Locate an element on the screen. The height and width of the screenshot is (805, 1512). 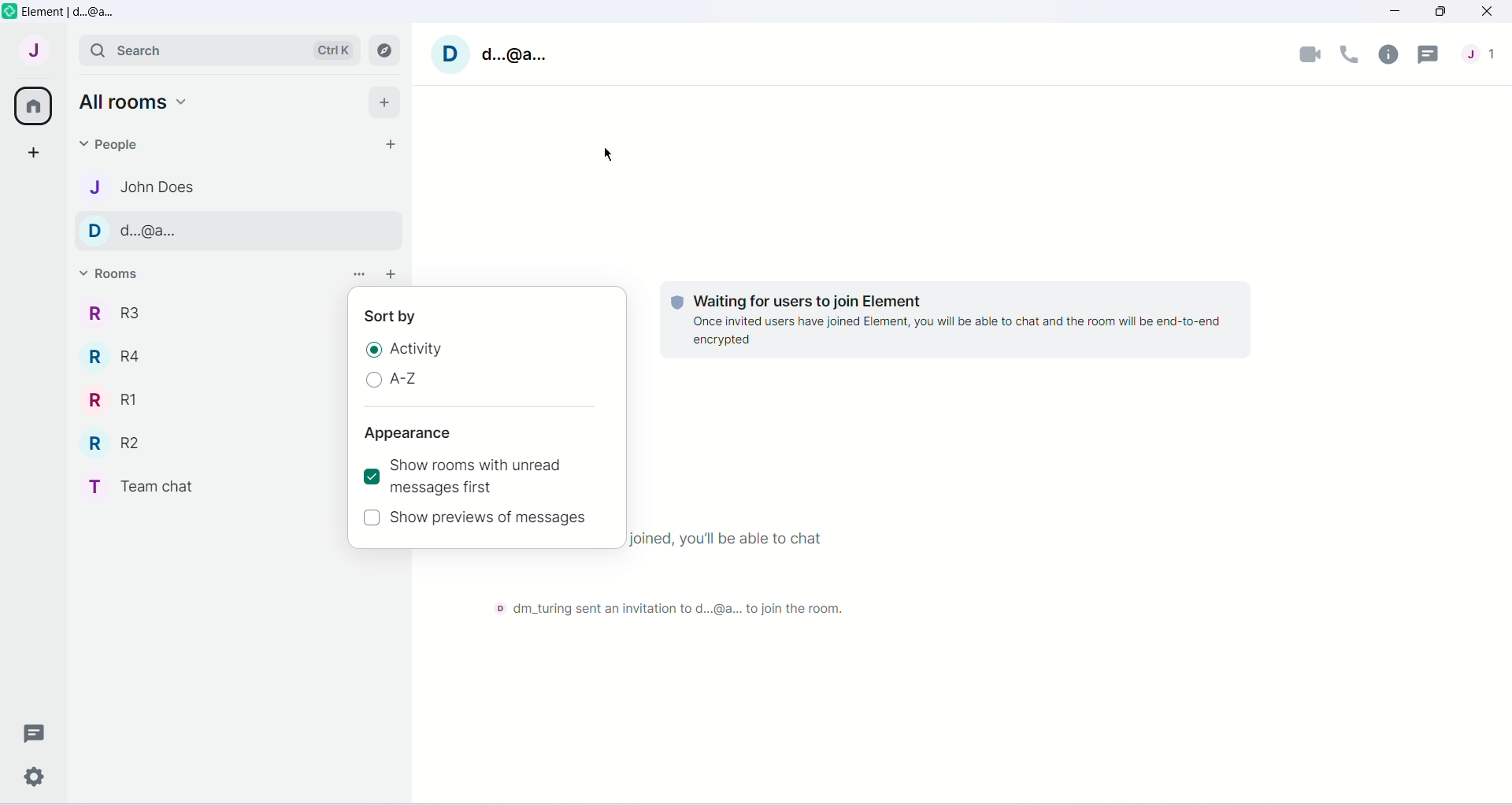
Appearance is located at coordinates (408, 434).